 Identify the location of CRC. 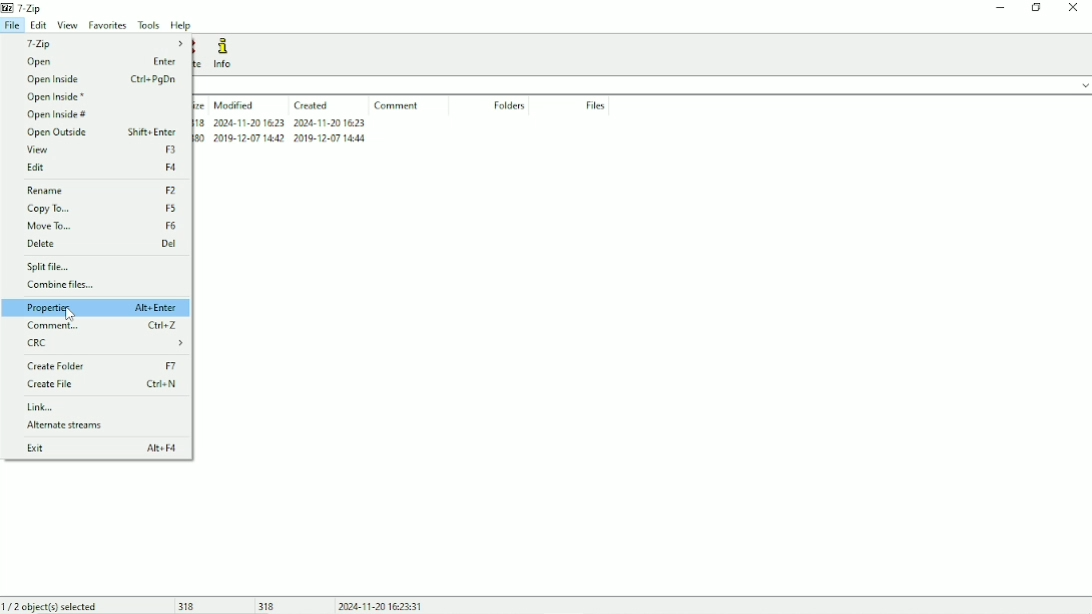
(103, 342).